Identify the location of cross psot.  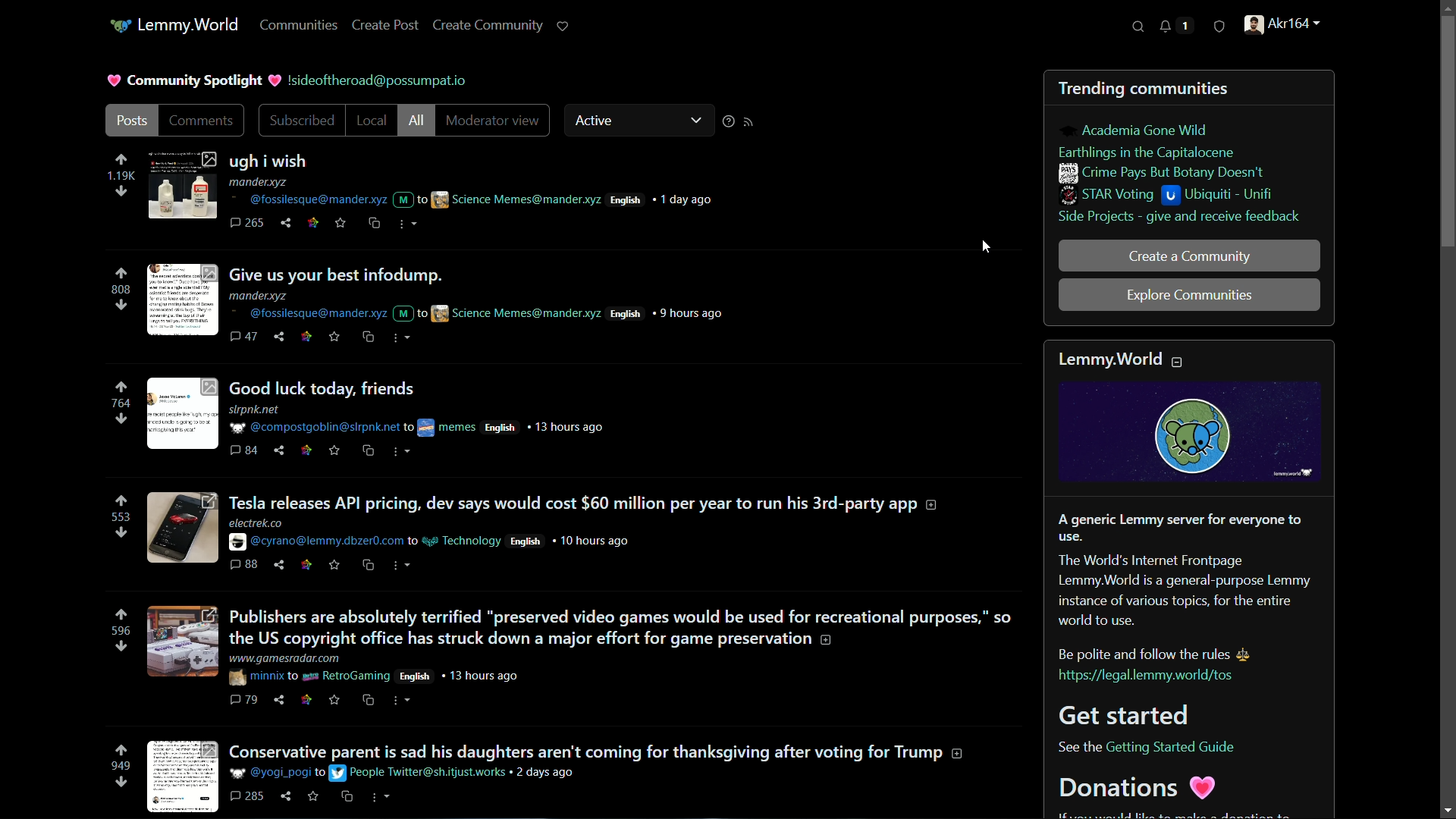
(370, 450).